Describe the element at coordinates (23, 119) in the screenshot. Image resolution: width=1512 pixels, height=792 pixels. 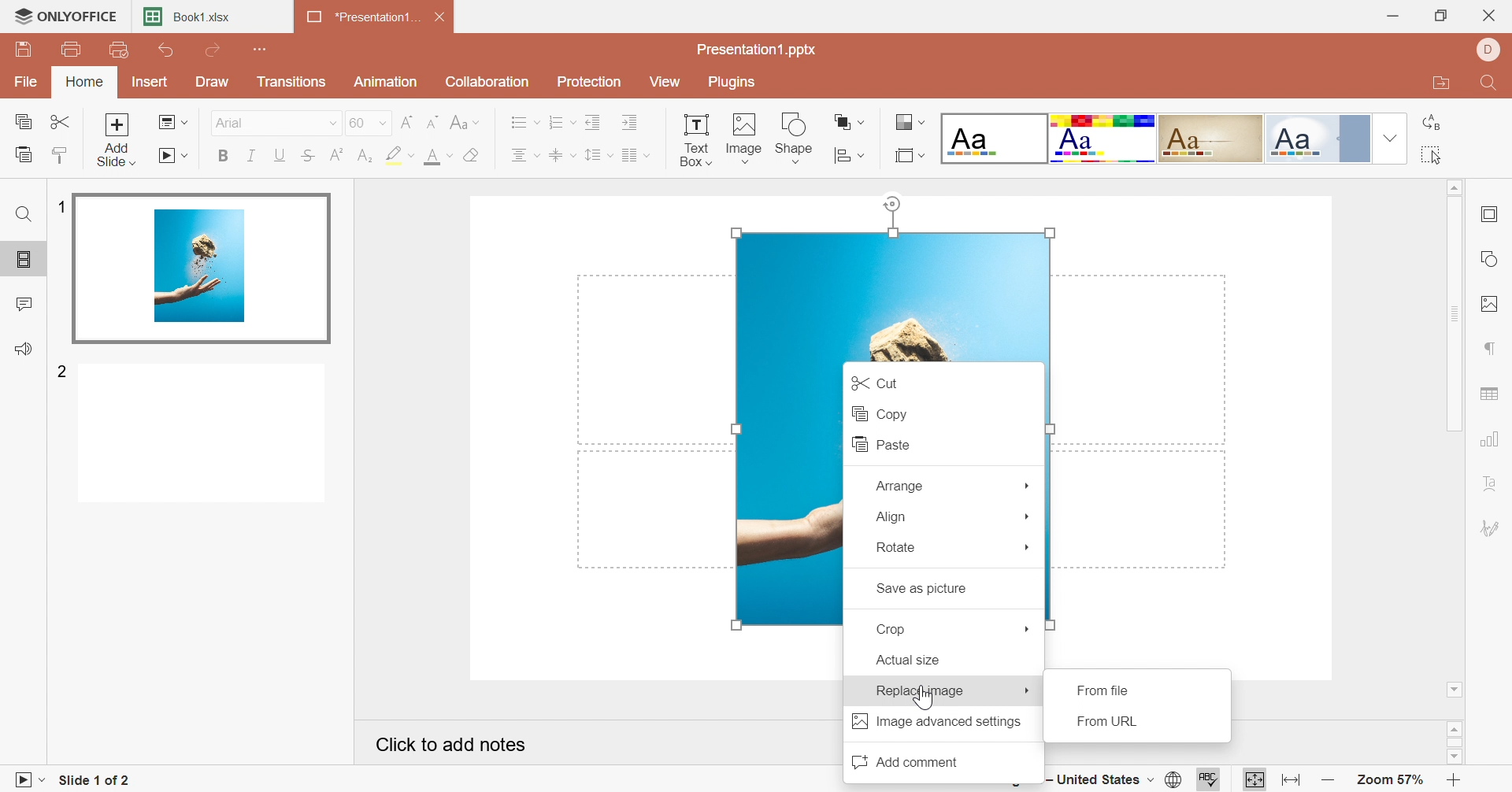
I see `Copy` at that location.